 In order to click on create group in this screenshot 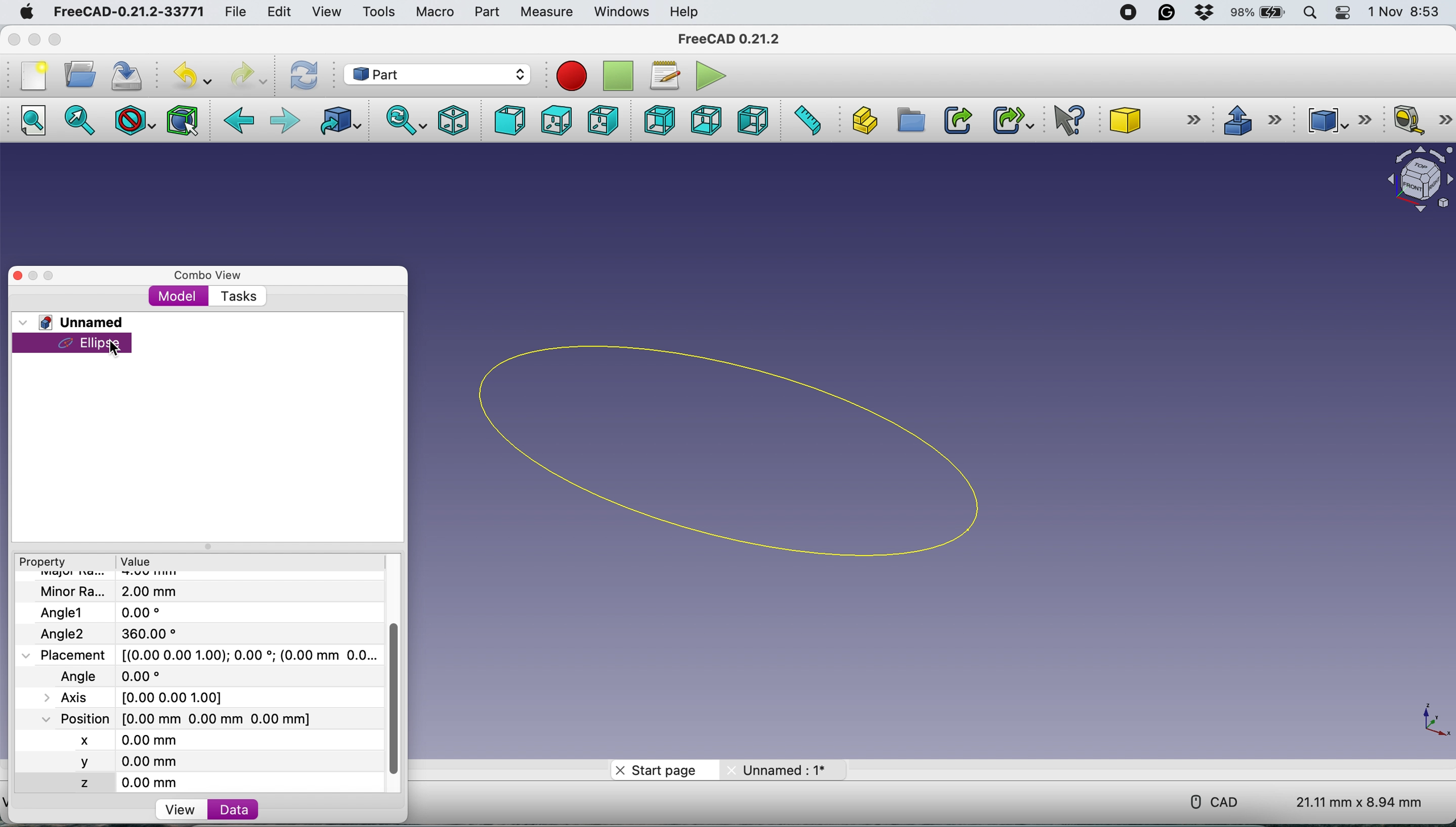, I will do `click(911, 123)`.